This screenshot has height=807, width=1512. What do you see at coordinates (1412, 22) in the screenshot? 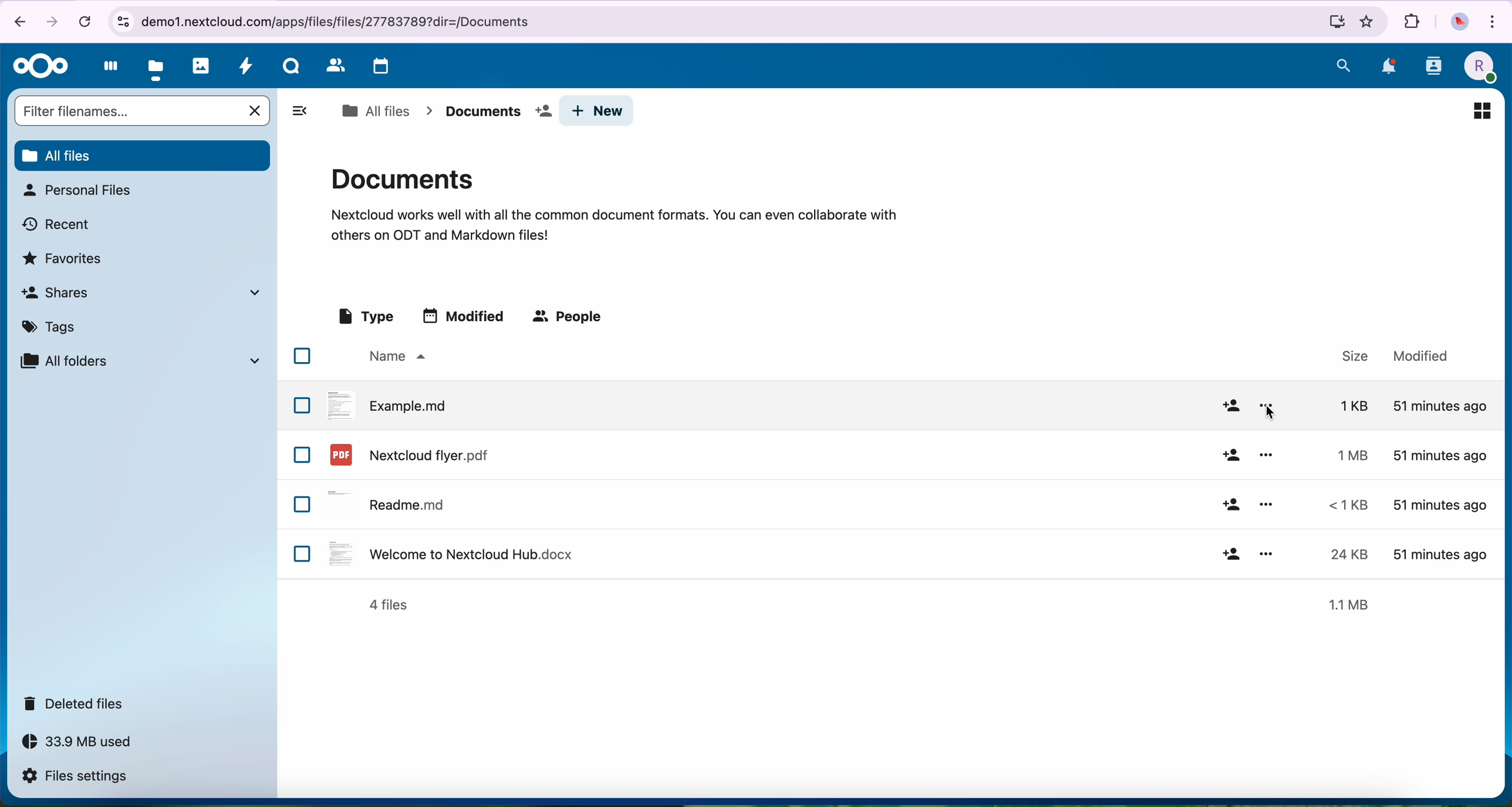
I see `extensions` at bounding box center [1412, 22].